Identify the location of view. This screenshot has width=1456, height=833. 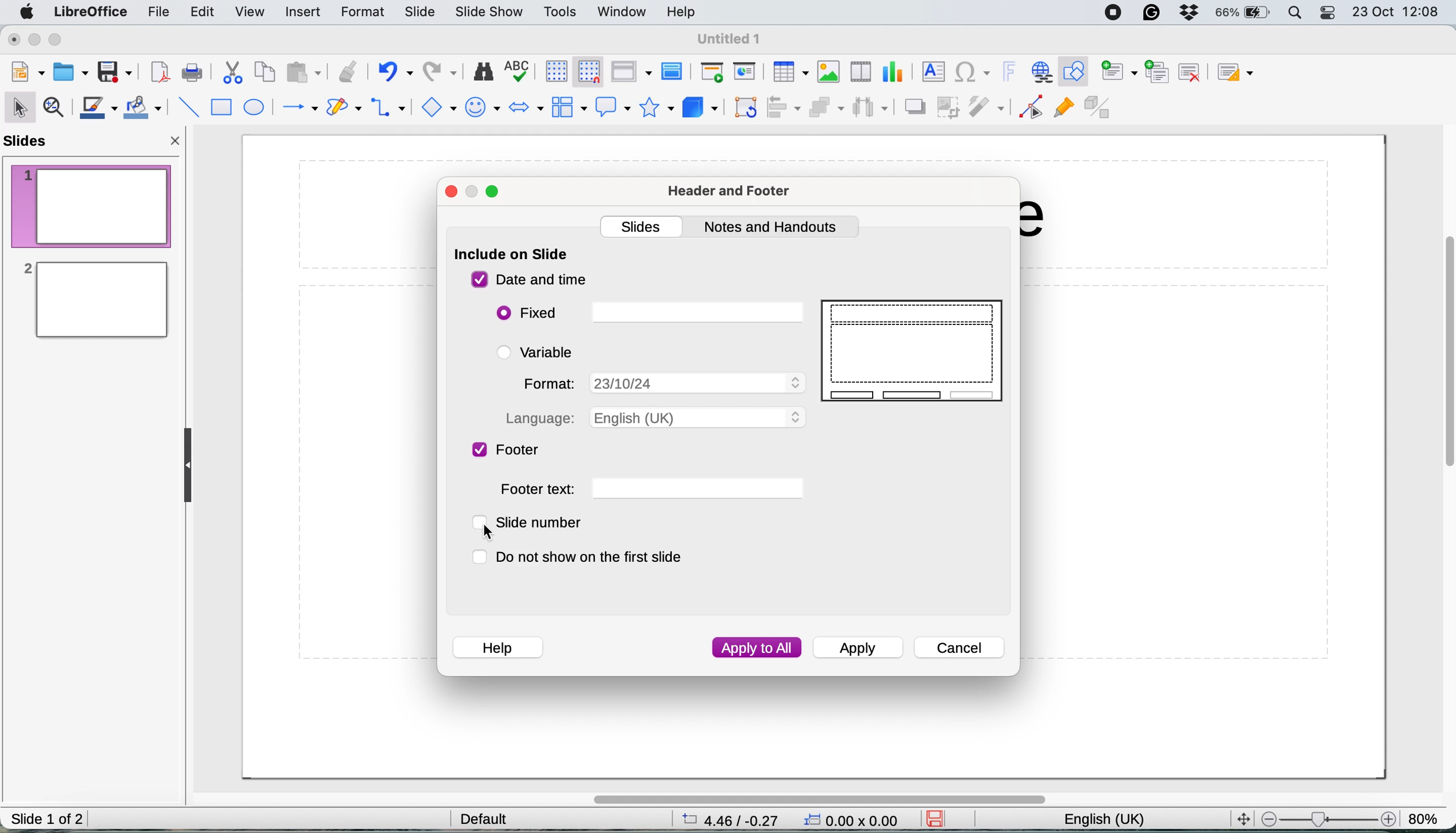
(253, 11).